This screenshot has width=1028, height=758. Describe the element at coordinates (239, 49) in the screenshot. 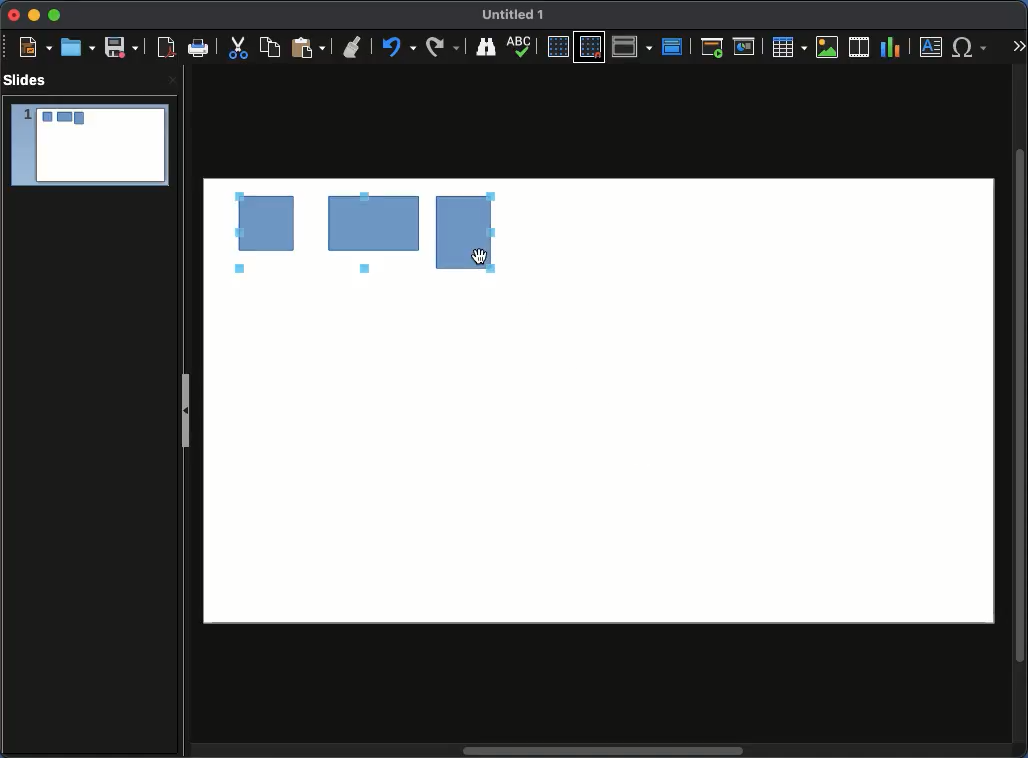

I see `Cut` at that location.